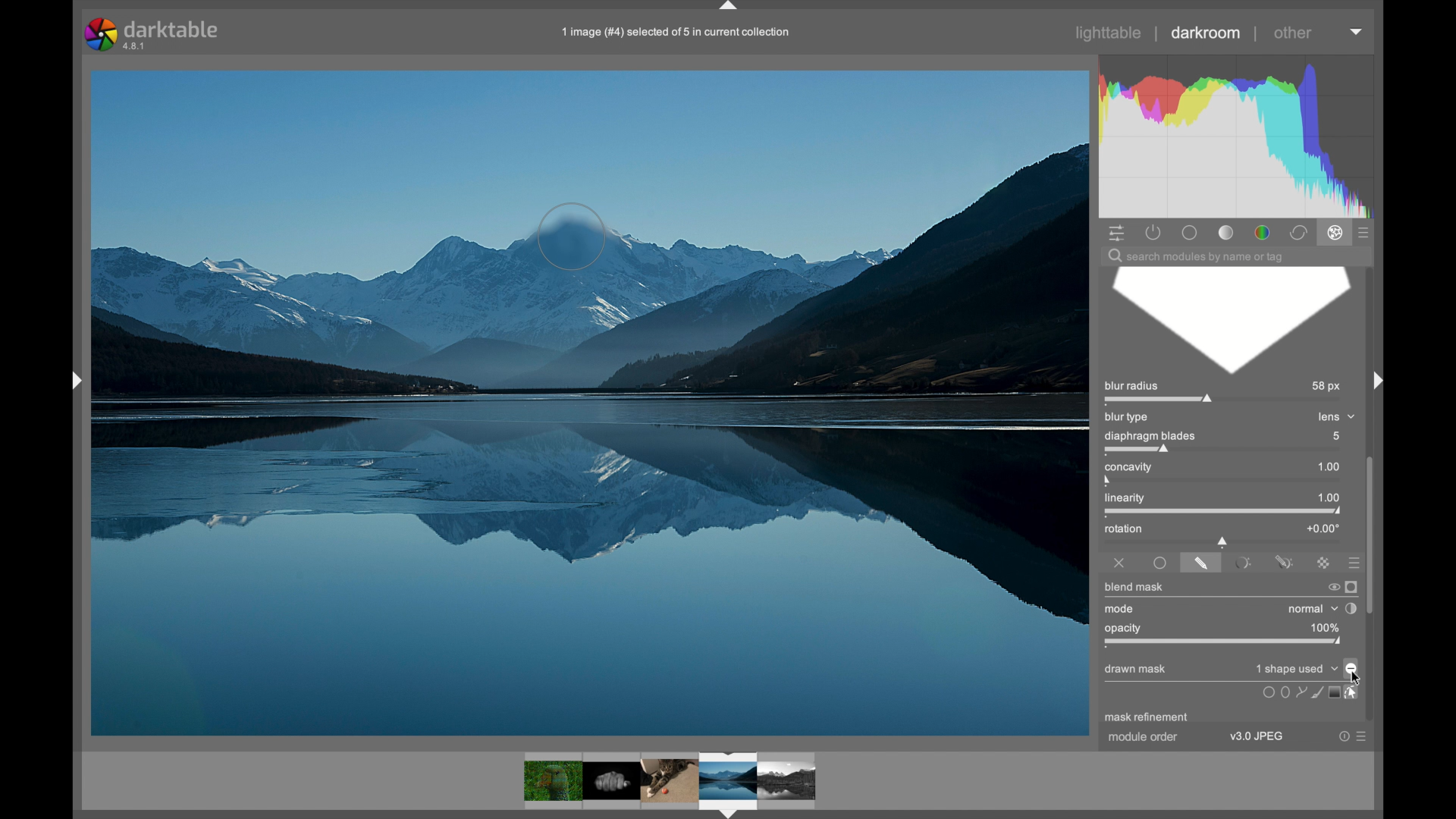  Describe the element at coordinates (1136, 586) in the screenshot. I see `blend mask` at that location.